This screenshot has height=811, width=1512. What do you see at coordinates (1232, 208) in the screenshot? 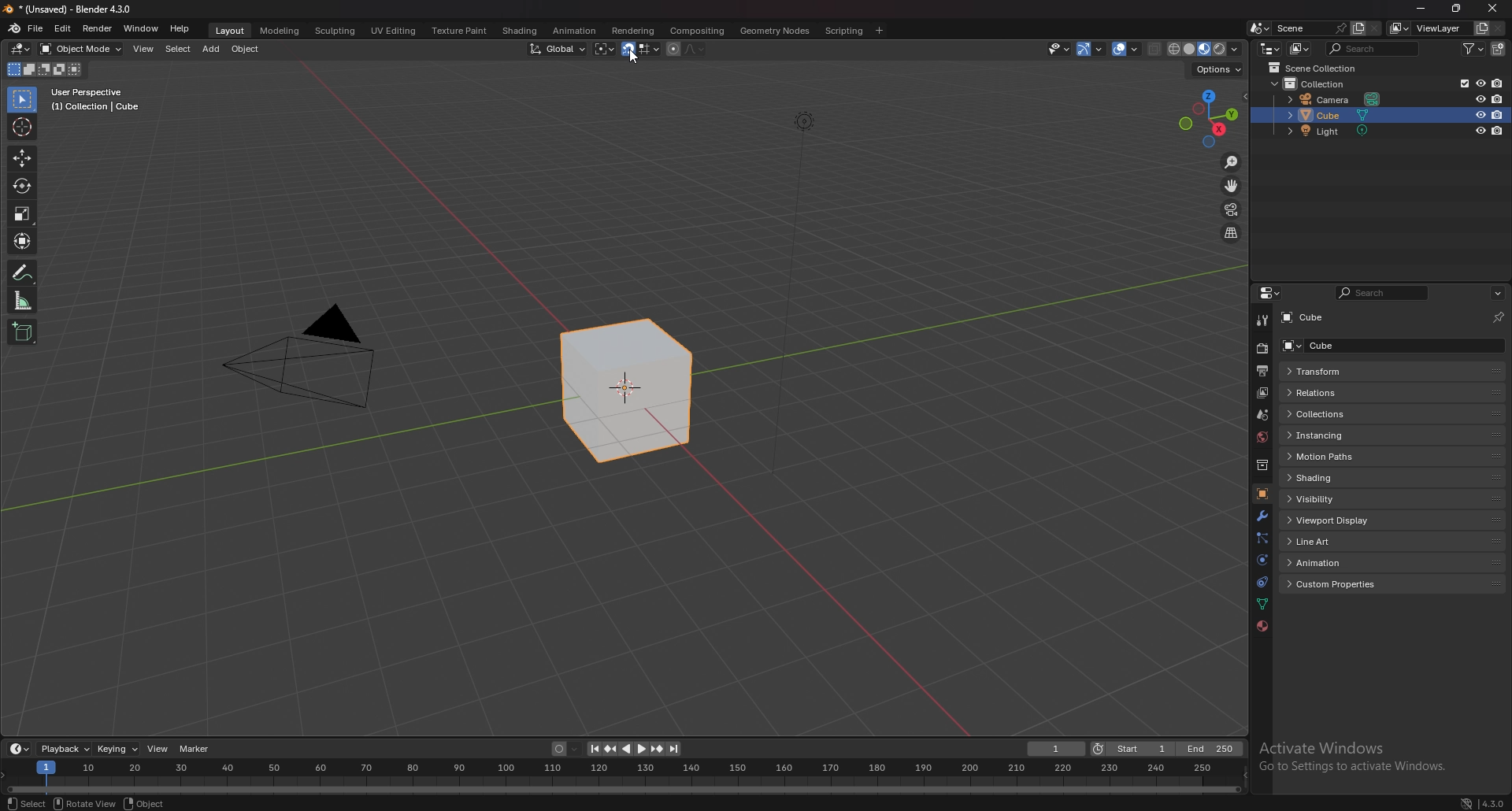
I see `camera view` at bounding box center [1232, 208].